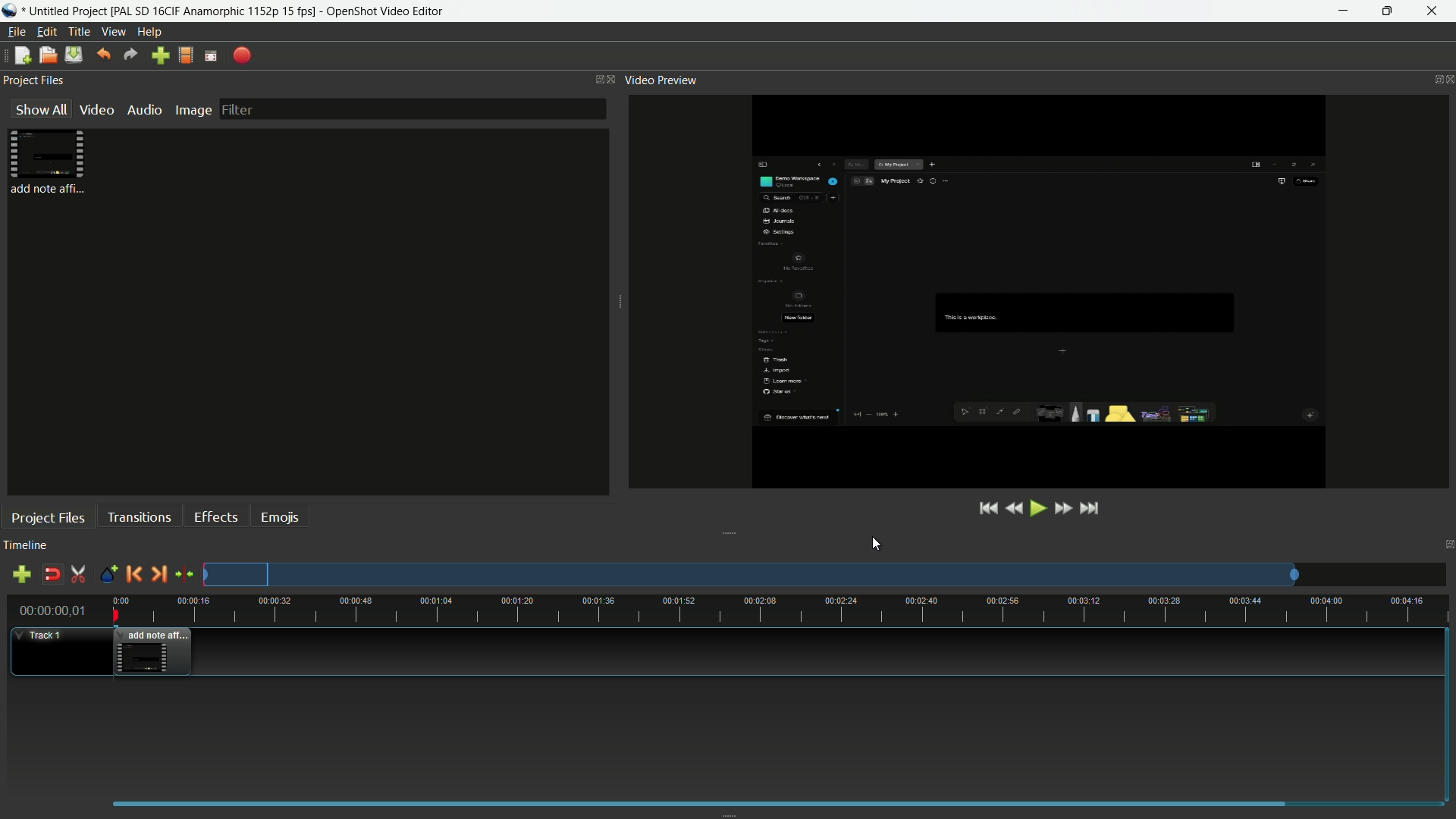 The width and height of the screenshot is (1456, 819). I want to click on change layout, so click(595, 79).